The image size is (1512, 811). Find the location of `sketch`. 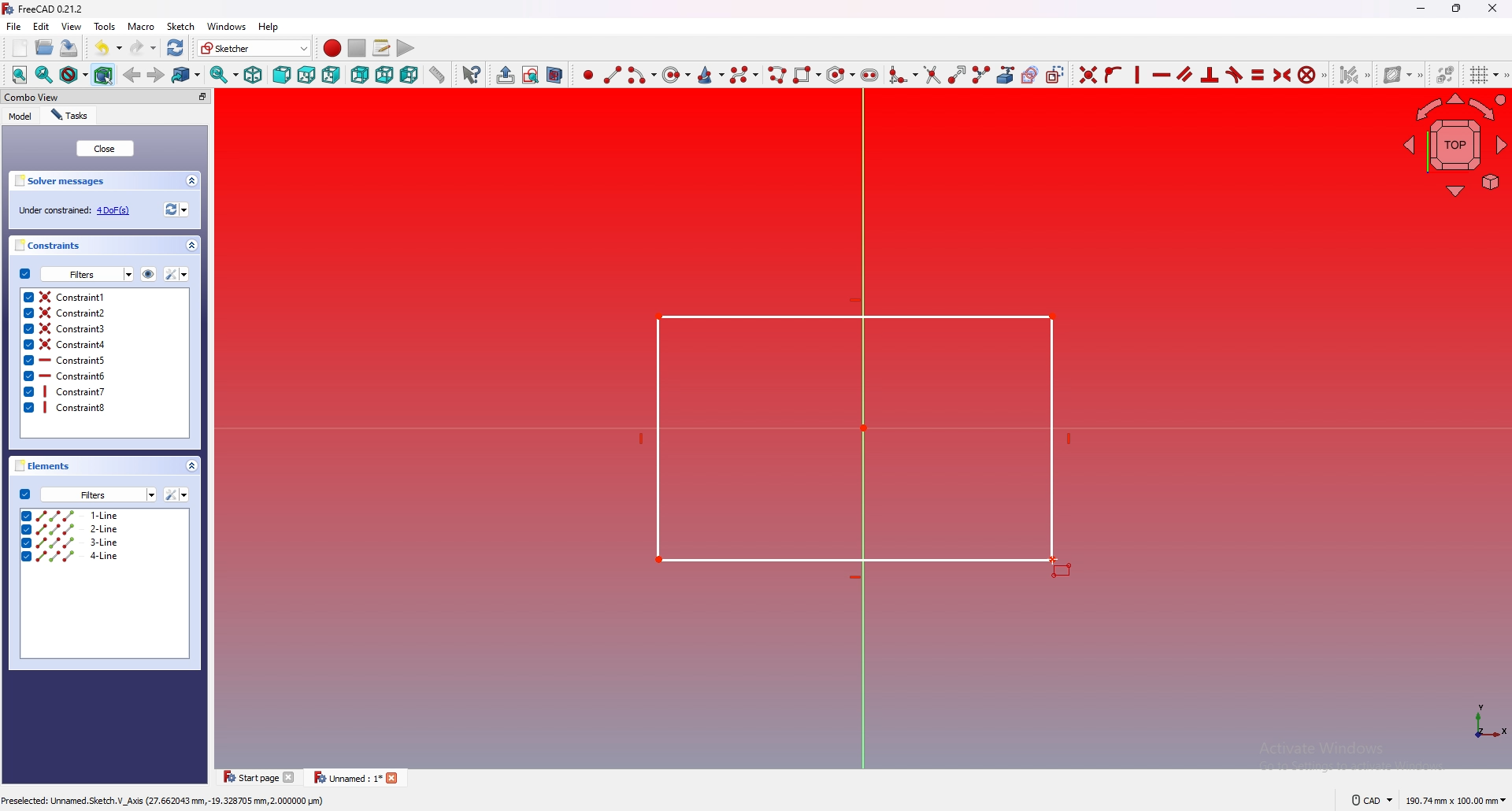

sketch is located at coordinates (180, 26).